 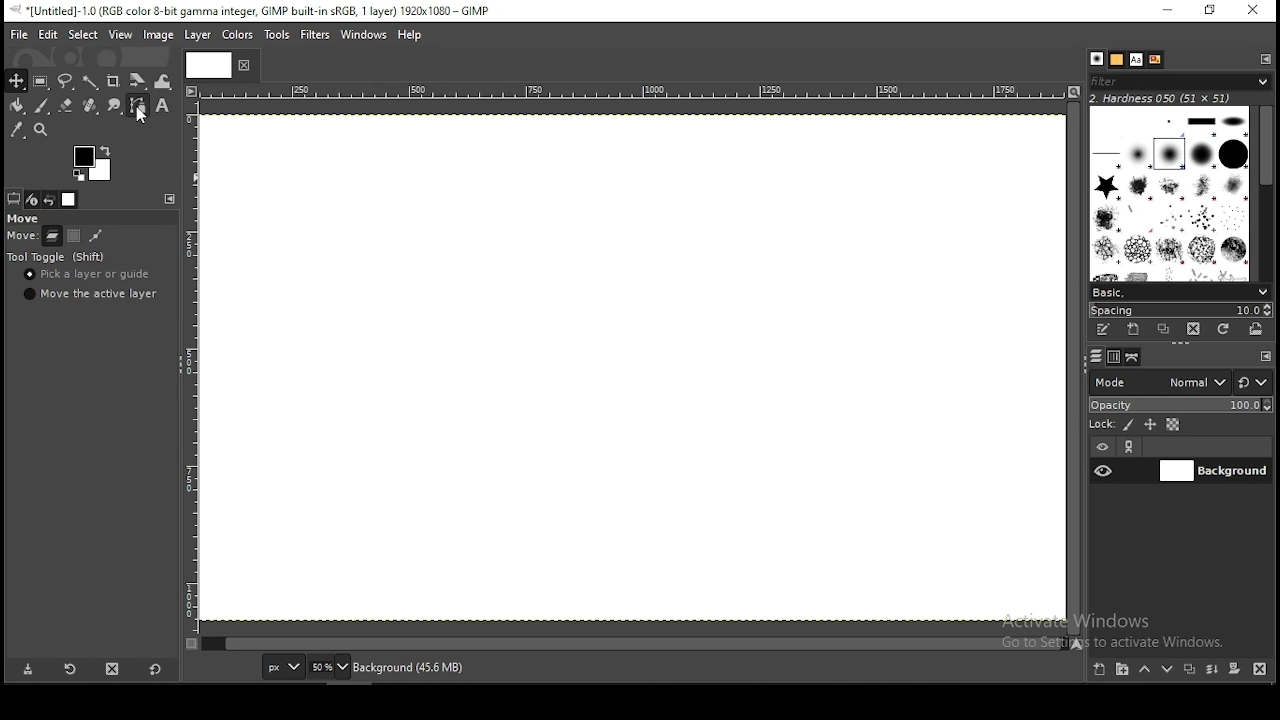 I want to click on lock position and size, so click(x=1150, y=424).